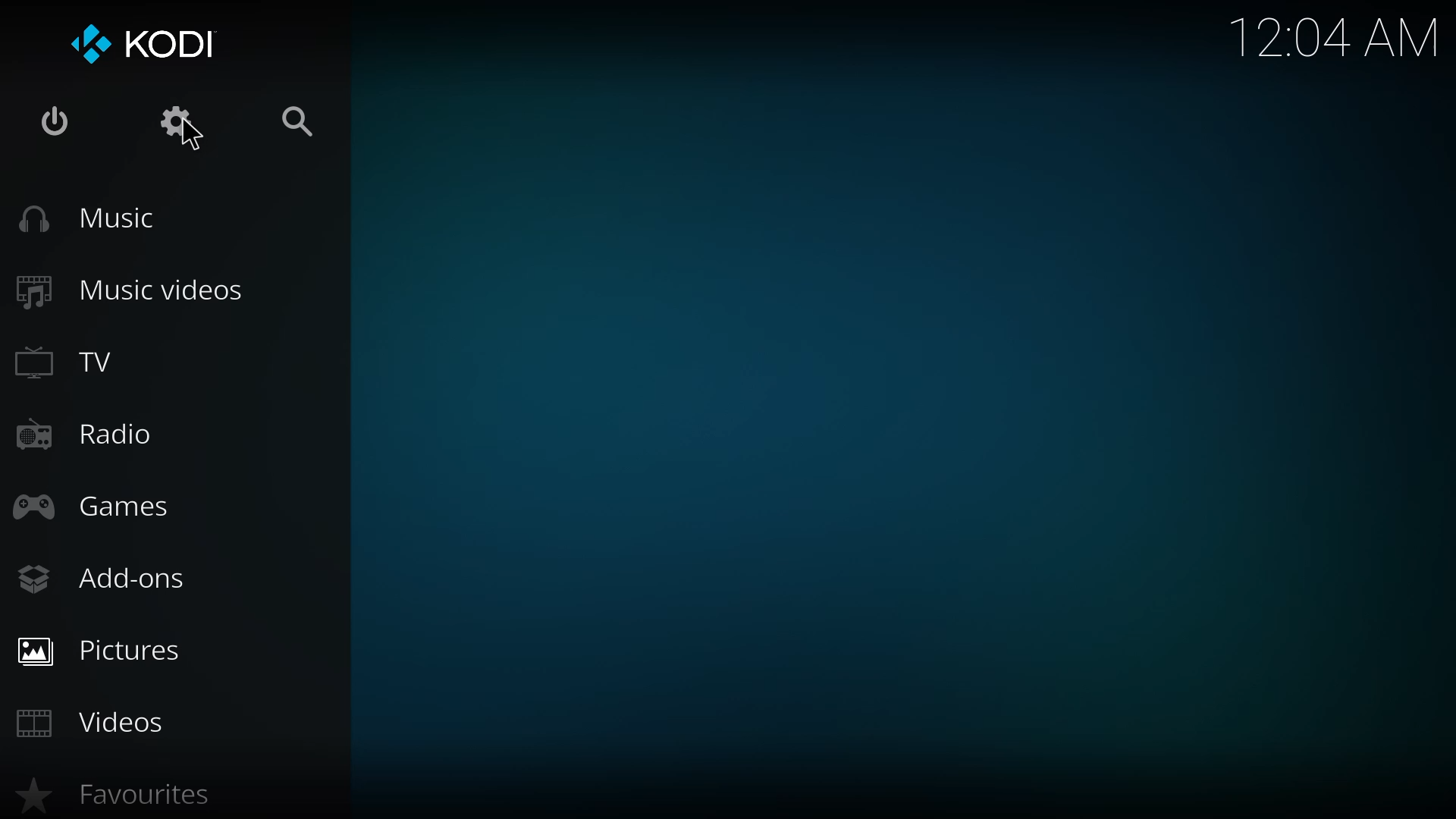  What do you see at coordinates (51, 121) in the screenshot?
I see `power` at bounding box center [51, 121].